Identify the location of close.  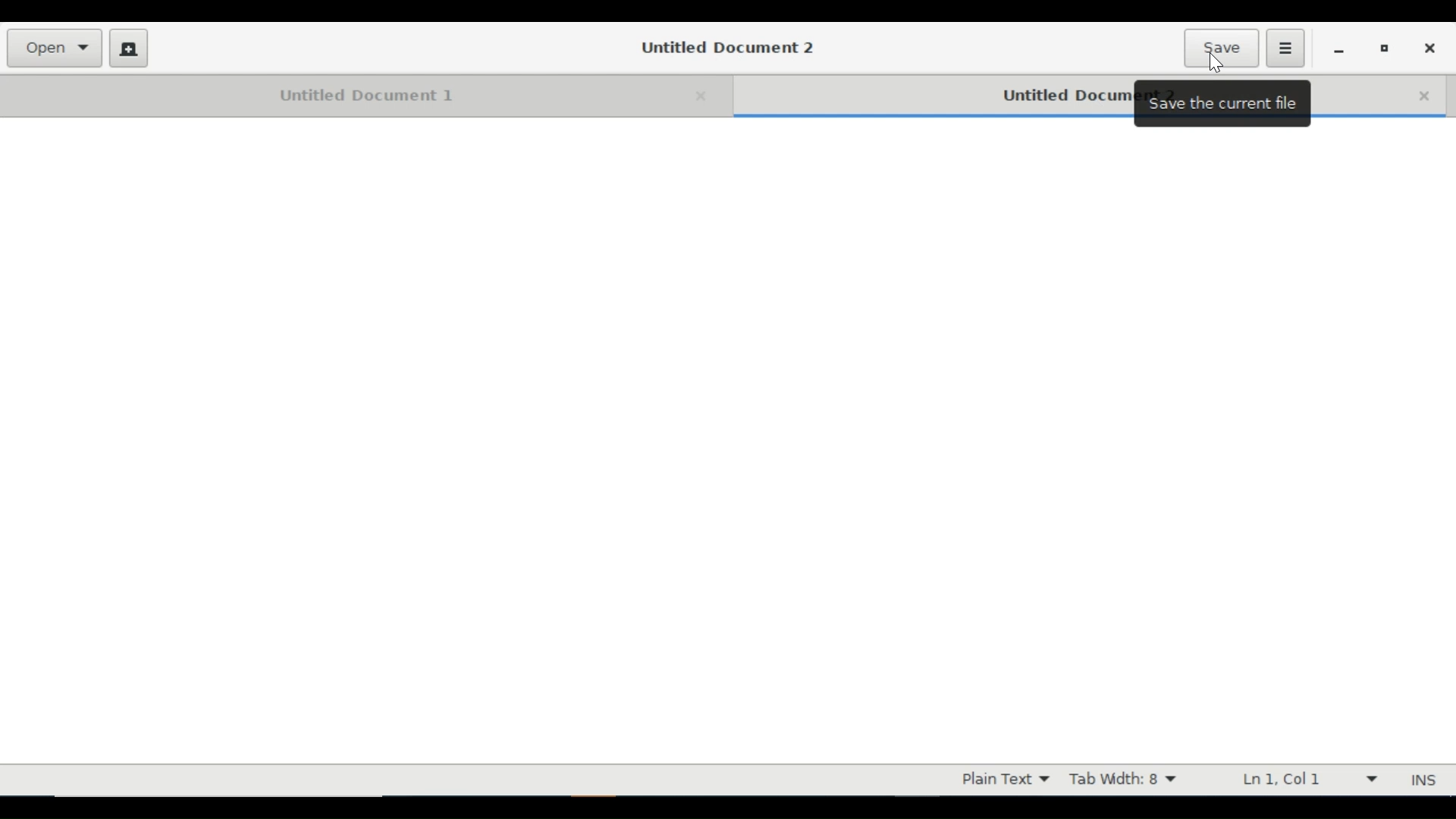
(1423, 96).